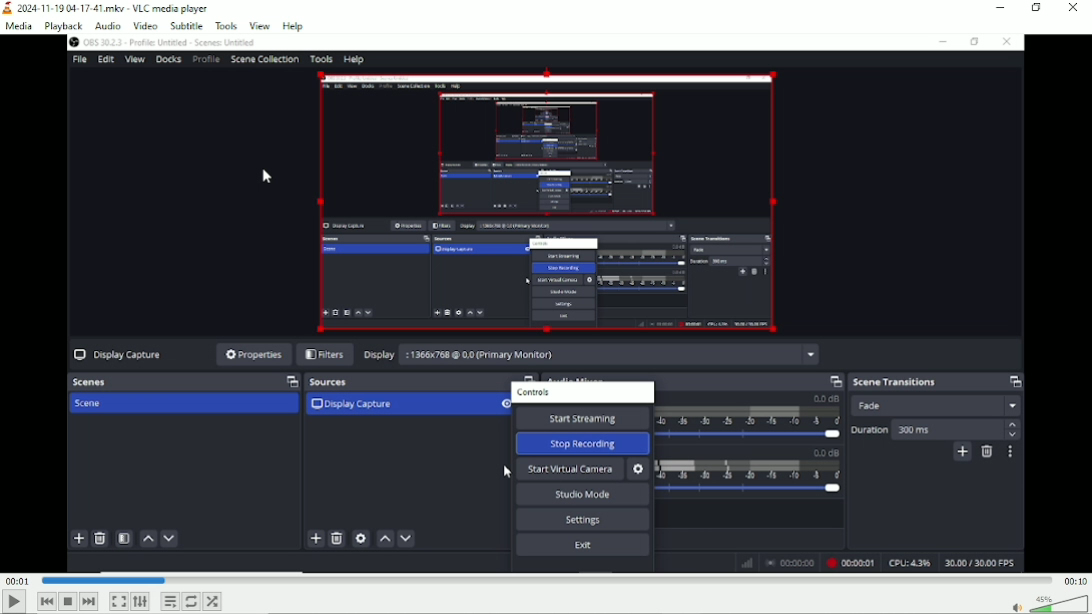 Image resolution: width=1092 pixels, height=614 pixels. I want to click on Minimize, so click(1001, 8).